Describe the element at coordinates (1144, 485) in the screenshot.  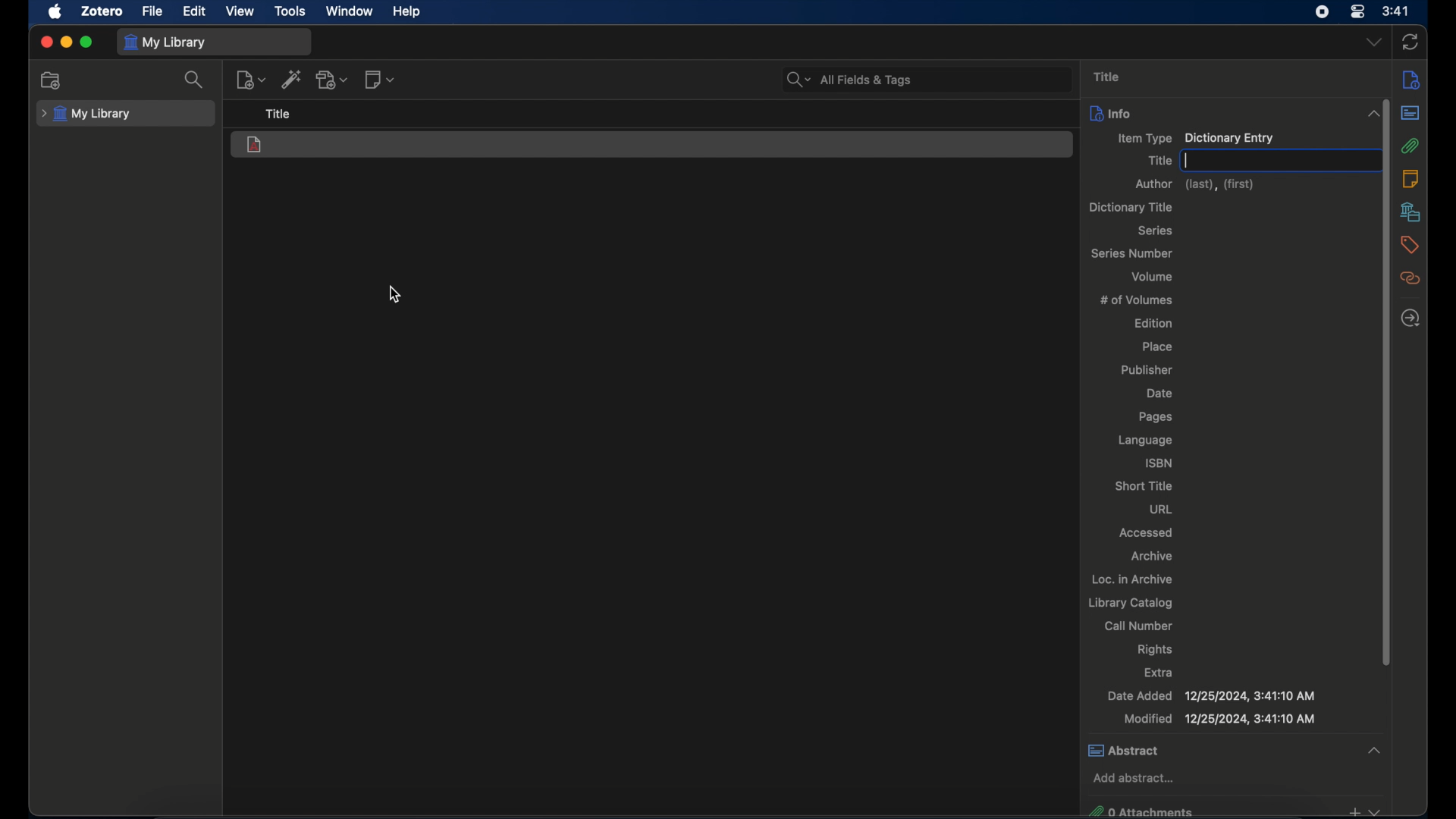
I see `short title` at that location.